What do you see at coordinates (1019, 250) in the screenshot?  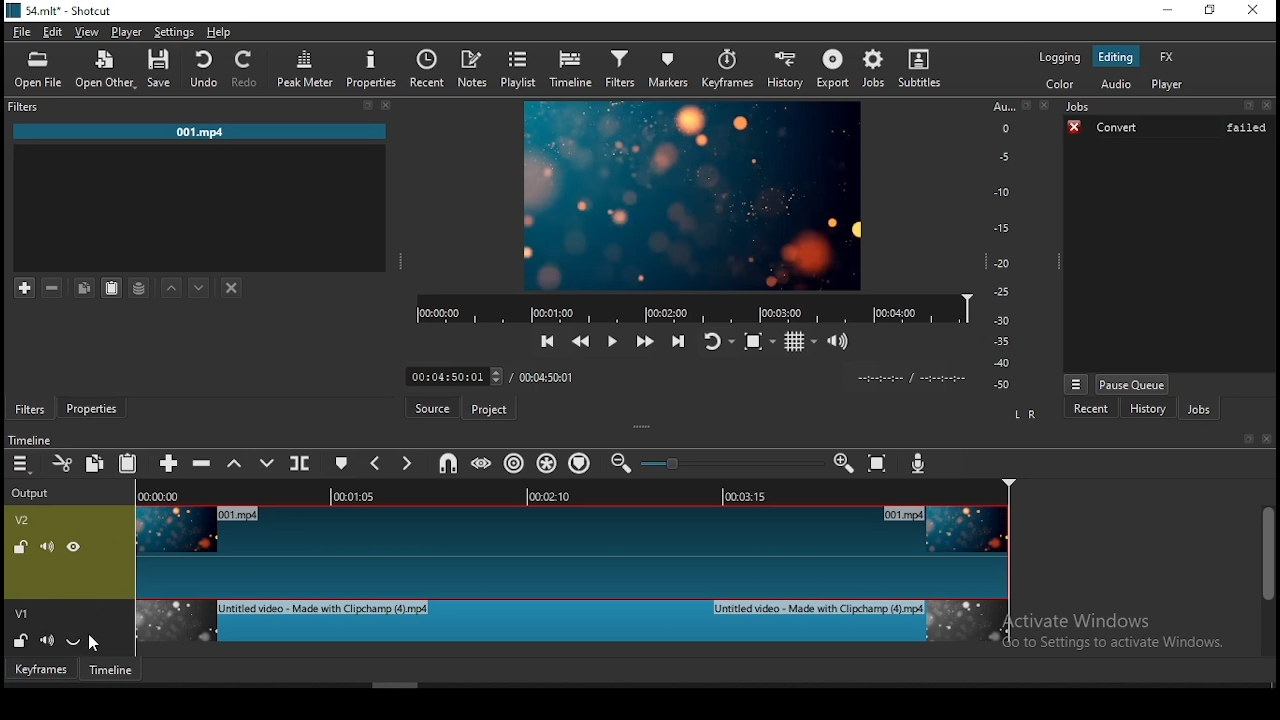 I see `audio scale` at bounding box center [1019, 250].